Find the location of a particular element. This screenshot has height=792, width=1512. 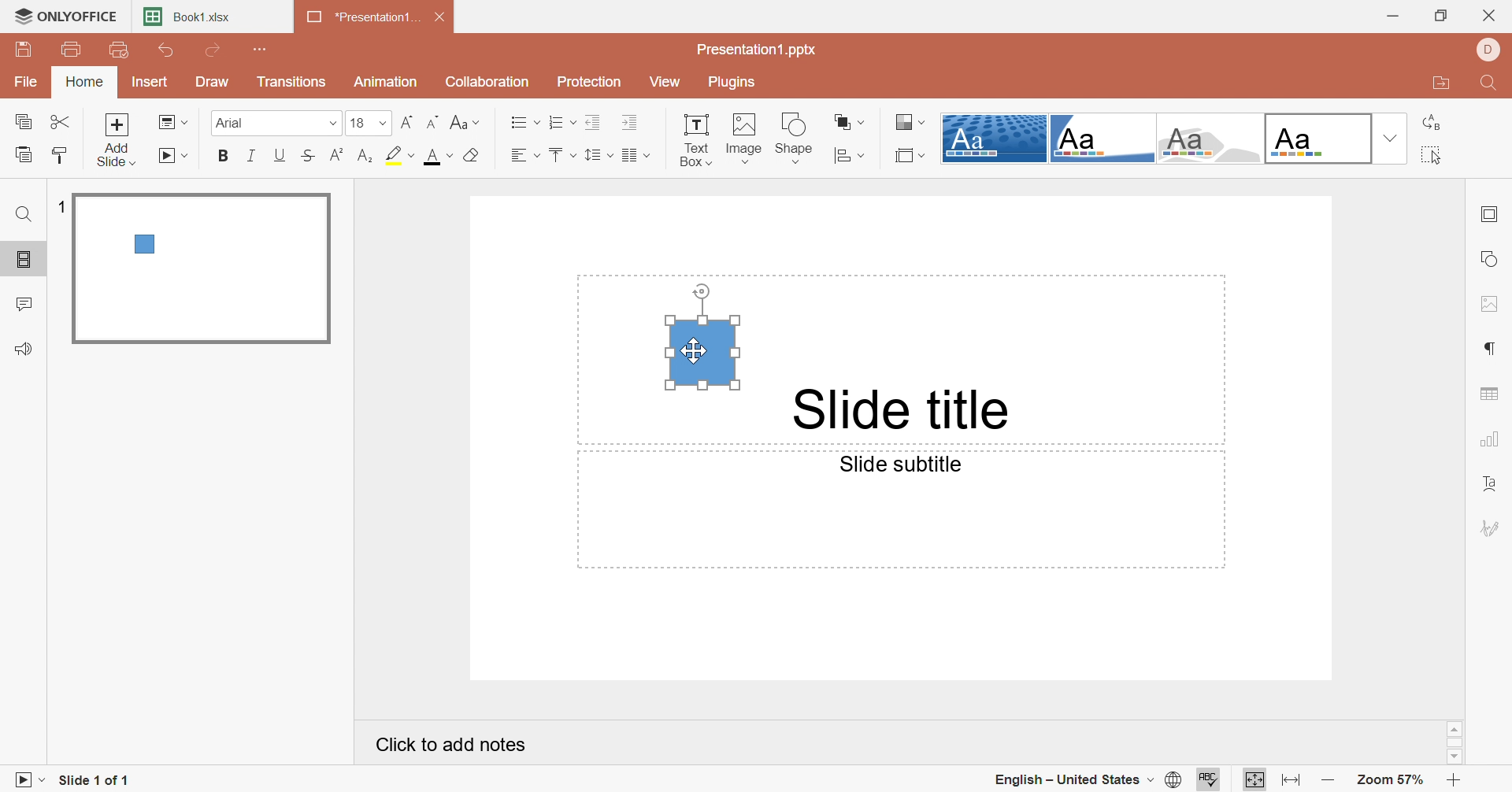

Clear is located at coordinates (476, 154).